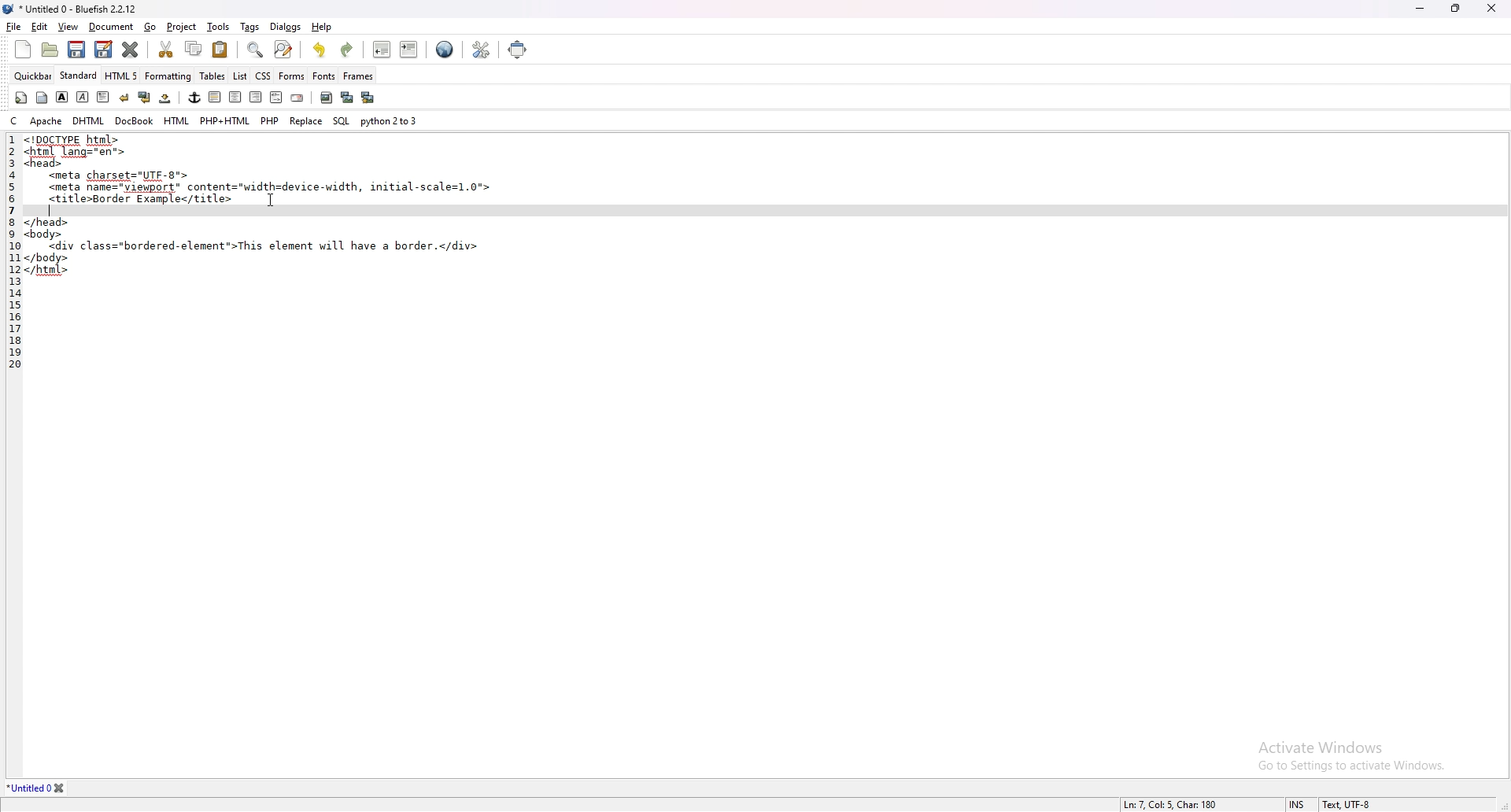  I want to click on cut, so click(165, 48).